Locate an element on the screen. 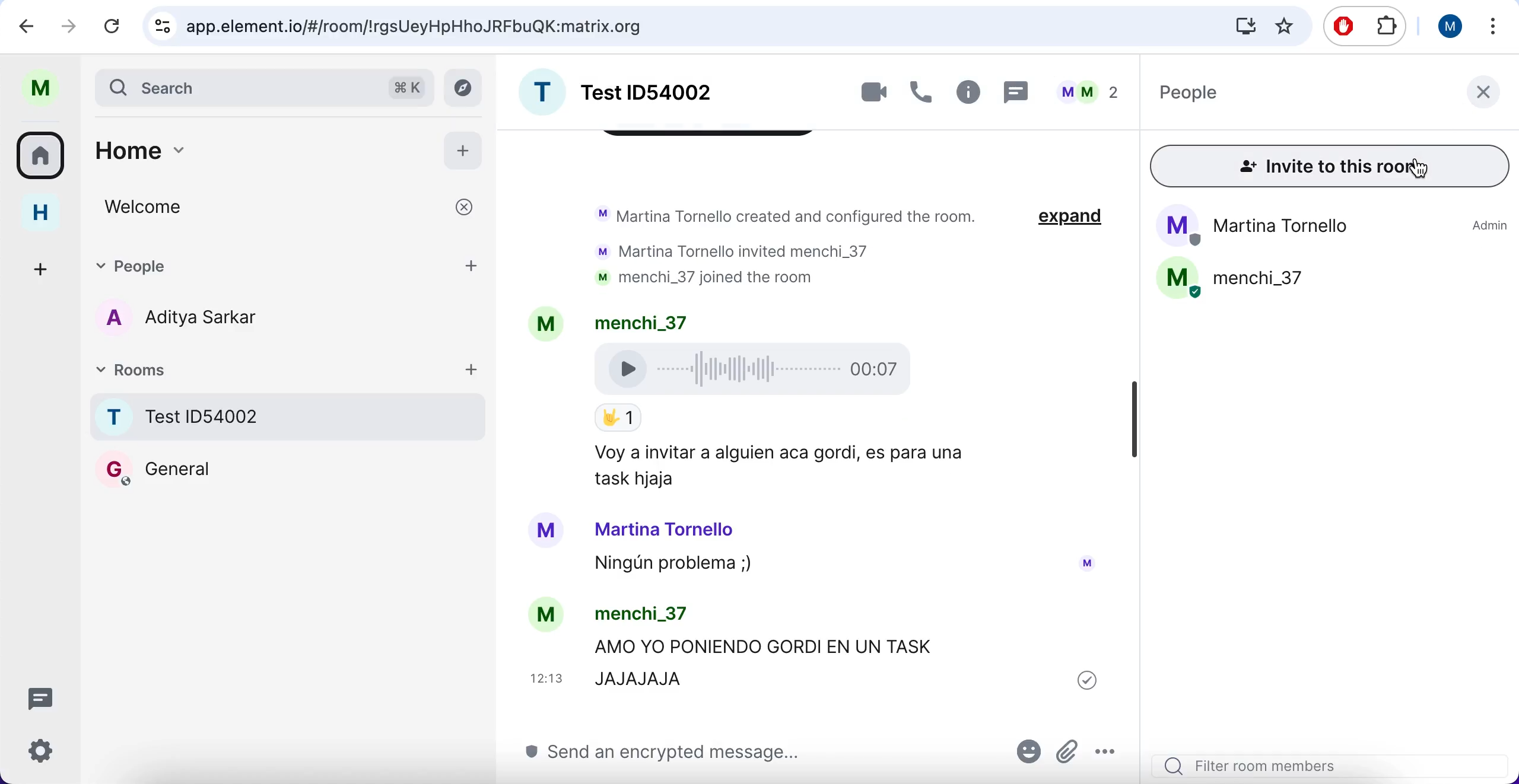  members is located at coordinates (1094, 91).